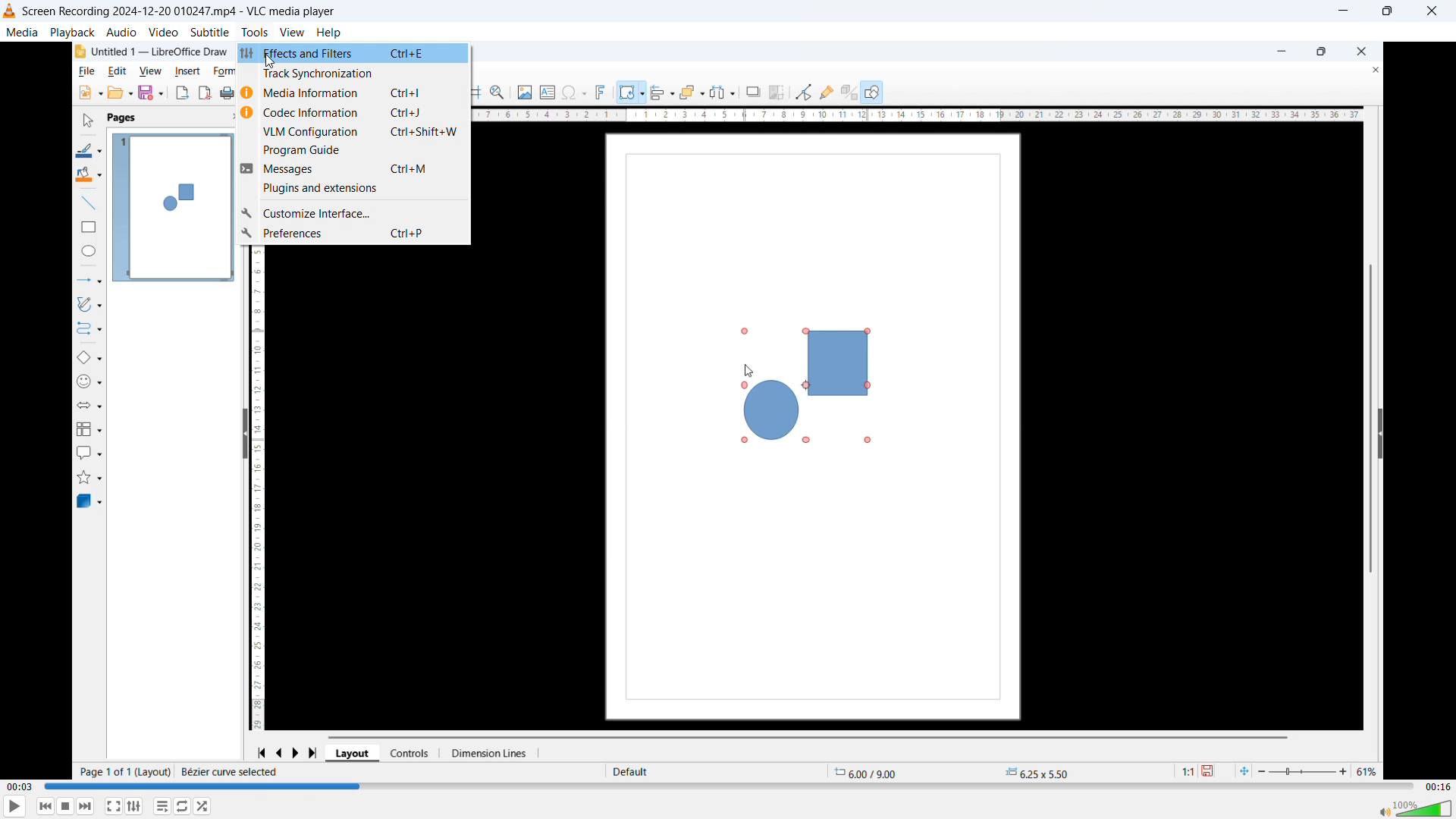  I want to click on Time bar , so click(728, 785).